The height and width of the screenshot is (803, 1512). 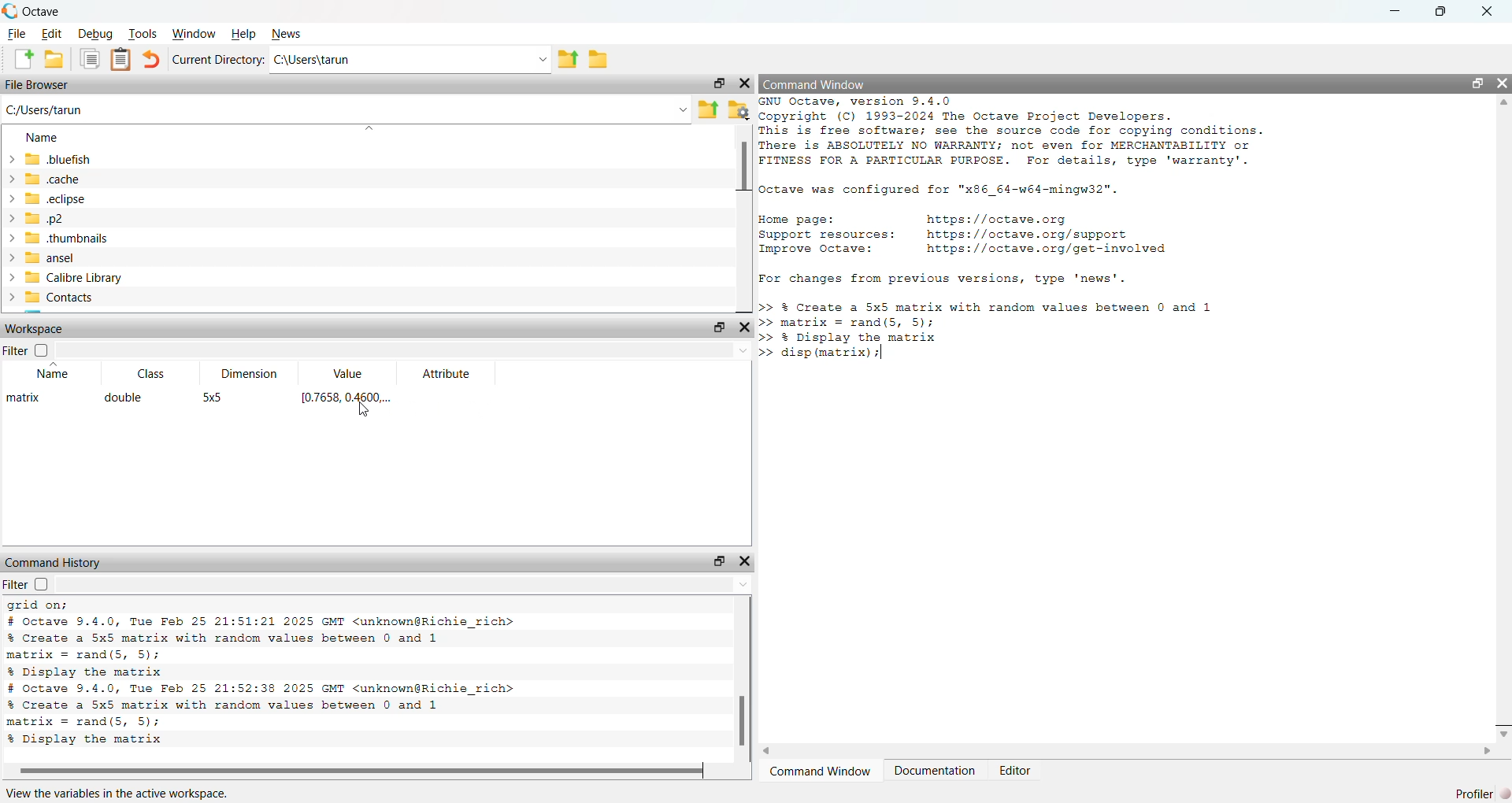 What do you see at coordinates (741, 218) in the screenshot?
I see `scroll bar` at bounding box center [741, 218].